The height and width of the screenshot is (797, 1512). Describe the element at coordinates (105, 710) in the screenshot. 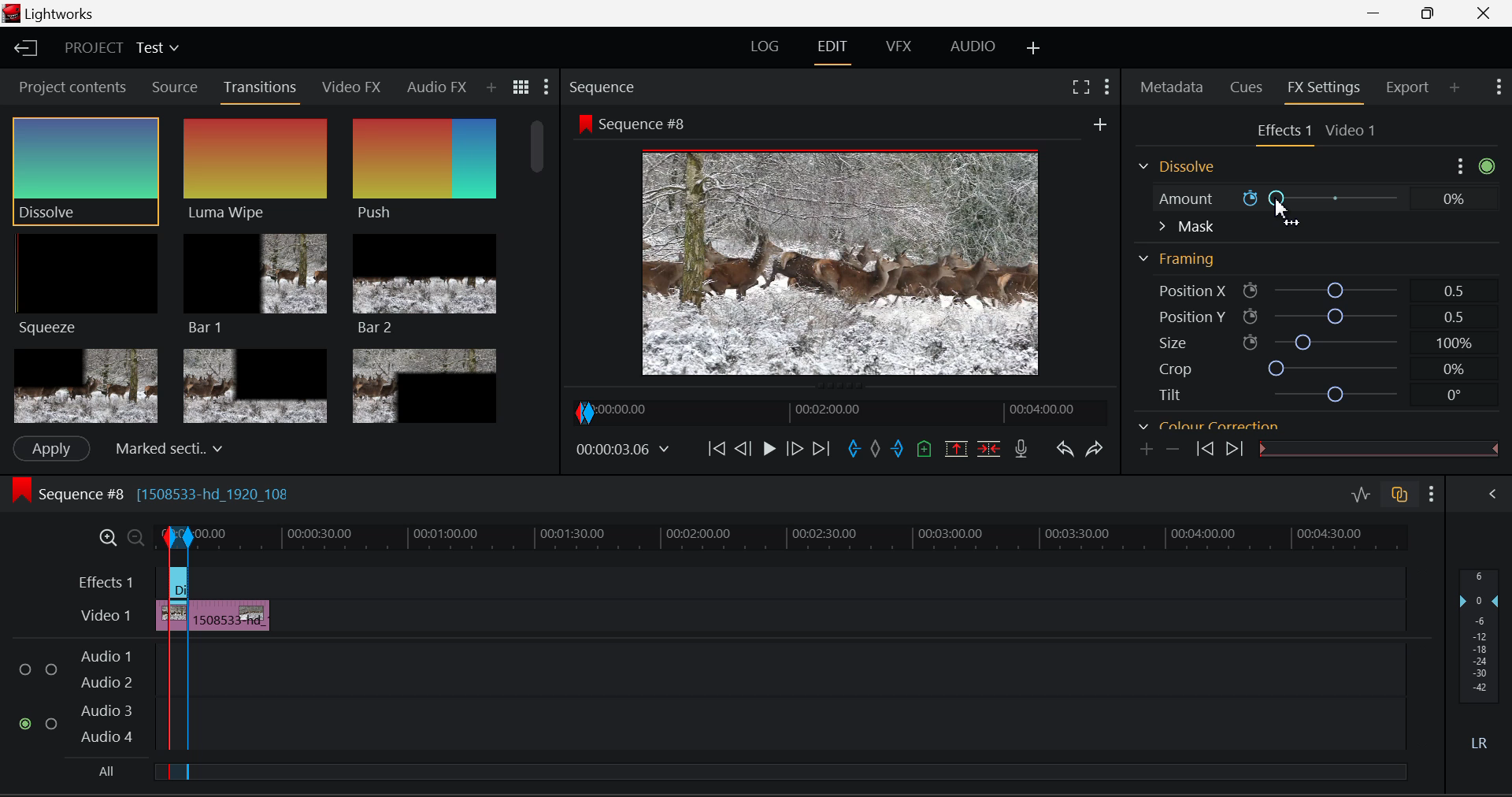

I see `Audio 3` at that location.